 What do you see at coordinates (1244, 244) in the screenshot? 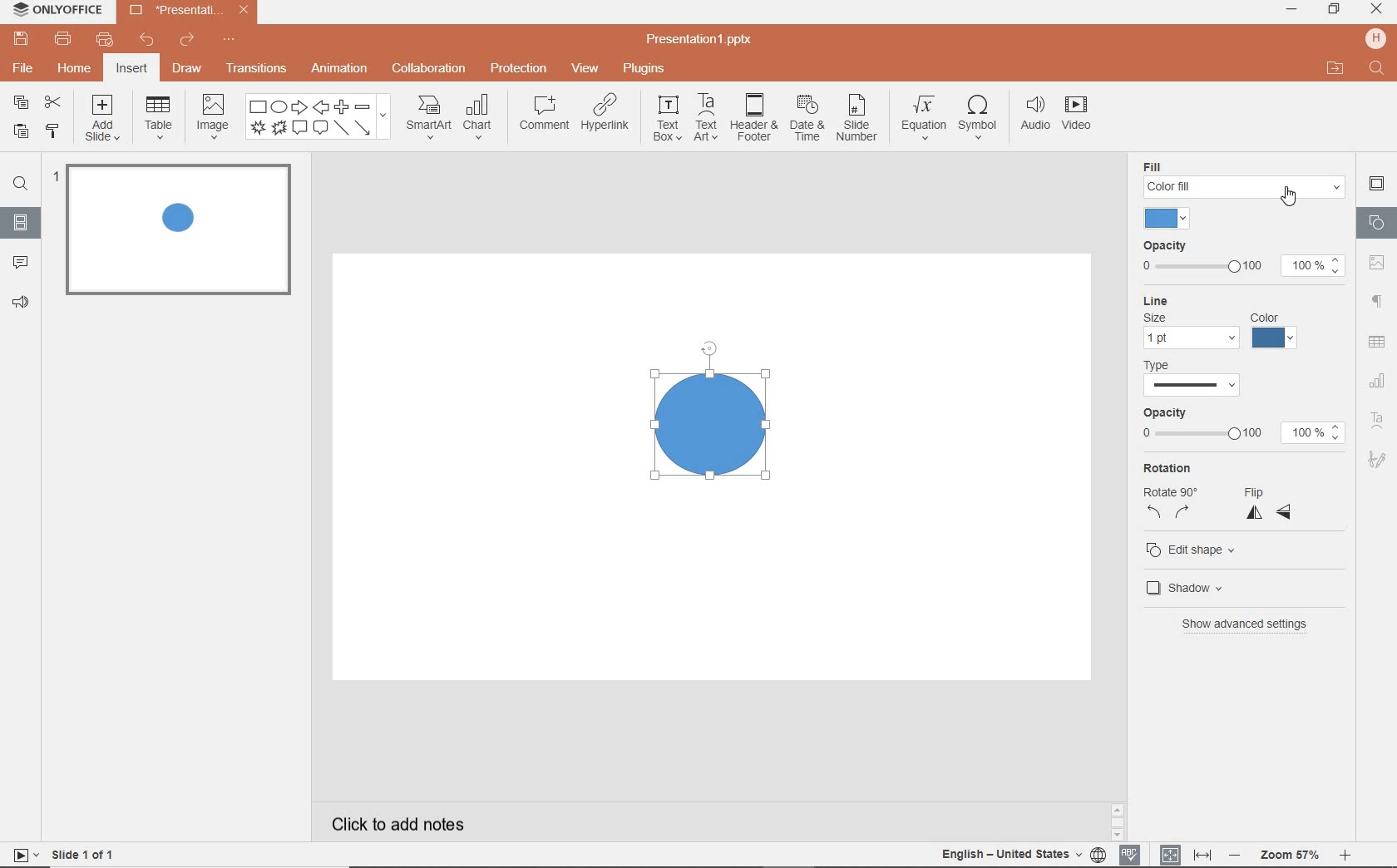
I see `Opacity` at bounding box center [1244, 244].